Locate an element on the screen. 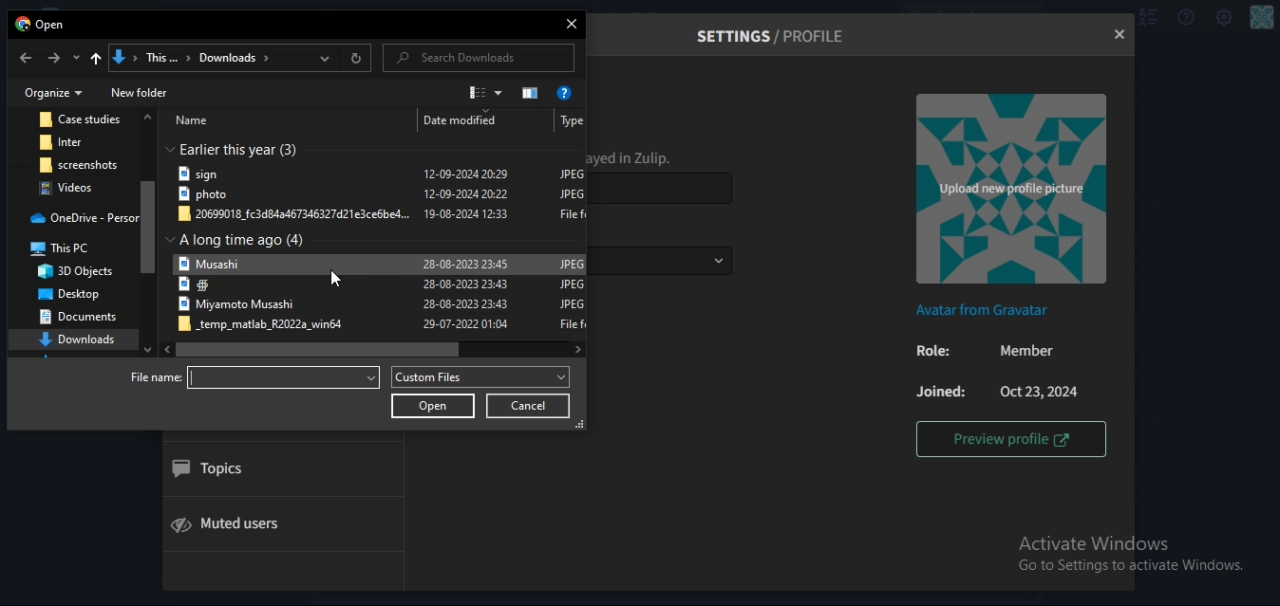 This screenshot has height=606, width=1280. desktop is located at coordinates (66, 293).